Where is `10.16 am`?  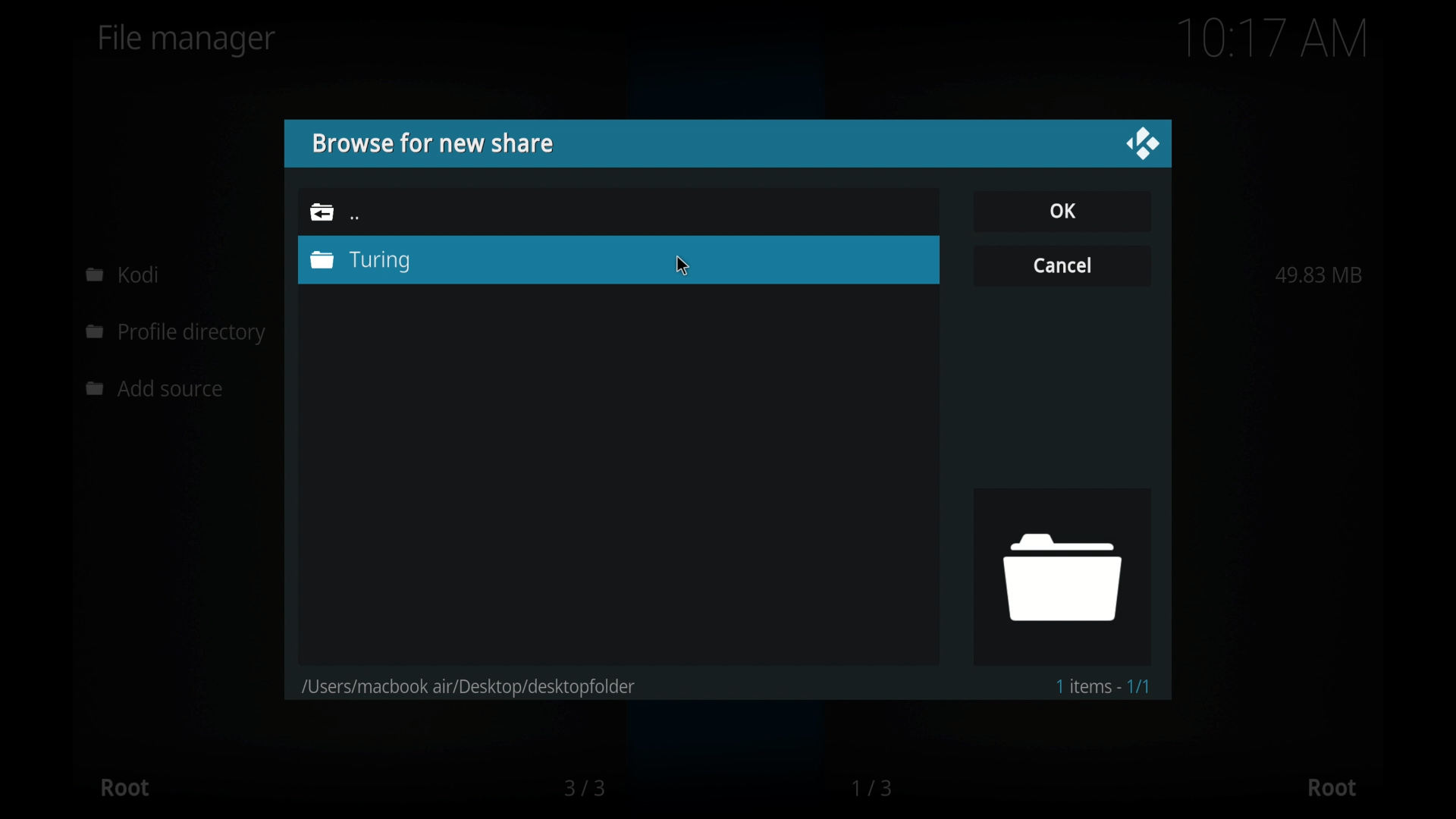 10.16 am is located at coordinates (1273, 38).